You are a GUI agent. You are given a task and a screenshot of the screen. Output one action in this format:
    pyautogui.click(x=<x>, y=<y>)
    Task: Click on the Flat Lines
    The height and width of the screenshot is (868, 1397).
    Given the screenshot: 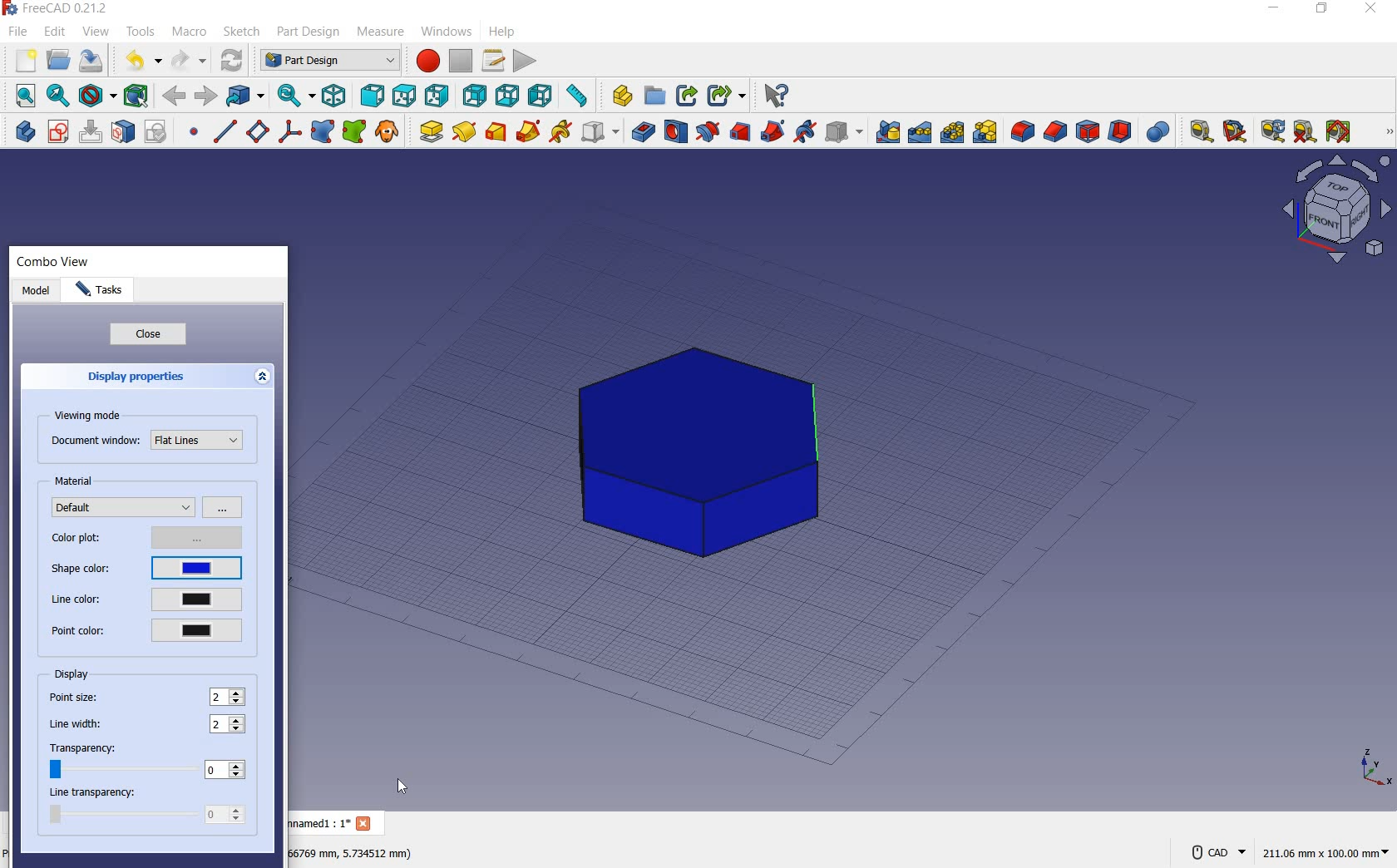 What is the action you would take?
    pyautogui.click(x=201, y=441)
    